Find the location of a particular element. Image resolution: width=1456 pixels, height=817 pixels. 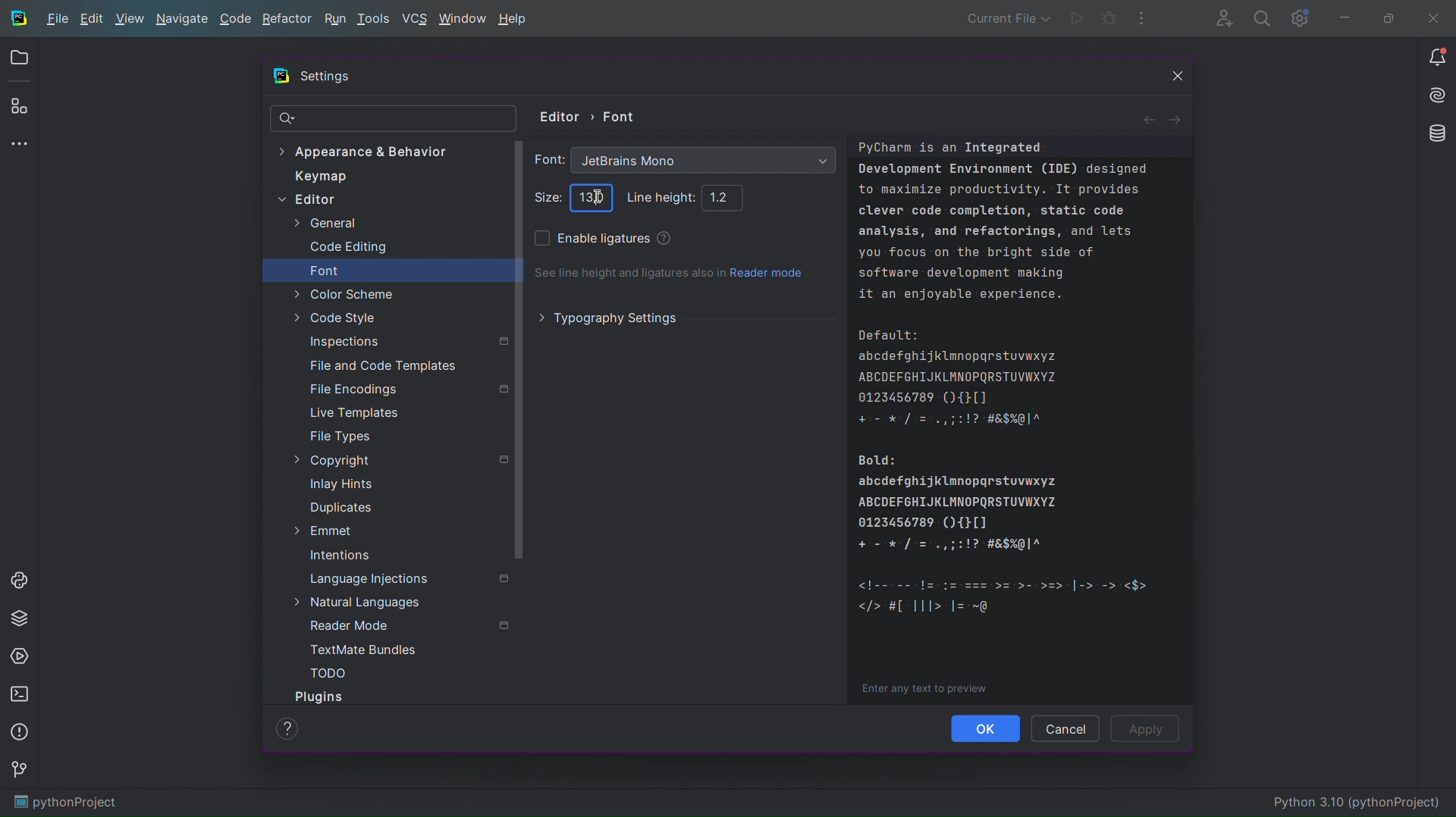

Editor > Font is located at coordinates (590, 114).